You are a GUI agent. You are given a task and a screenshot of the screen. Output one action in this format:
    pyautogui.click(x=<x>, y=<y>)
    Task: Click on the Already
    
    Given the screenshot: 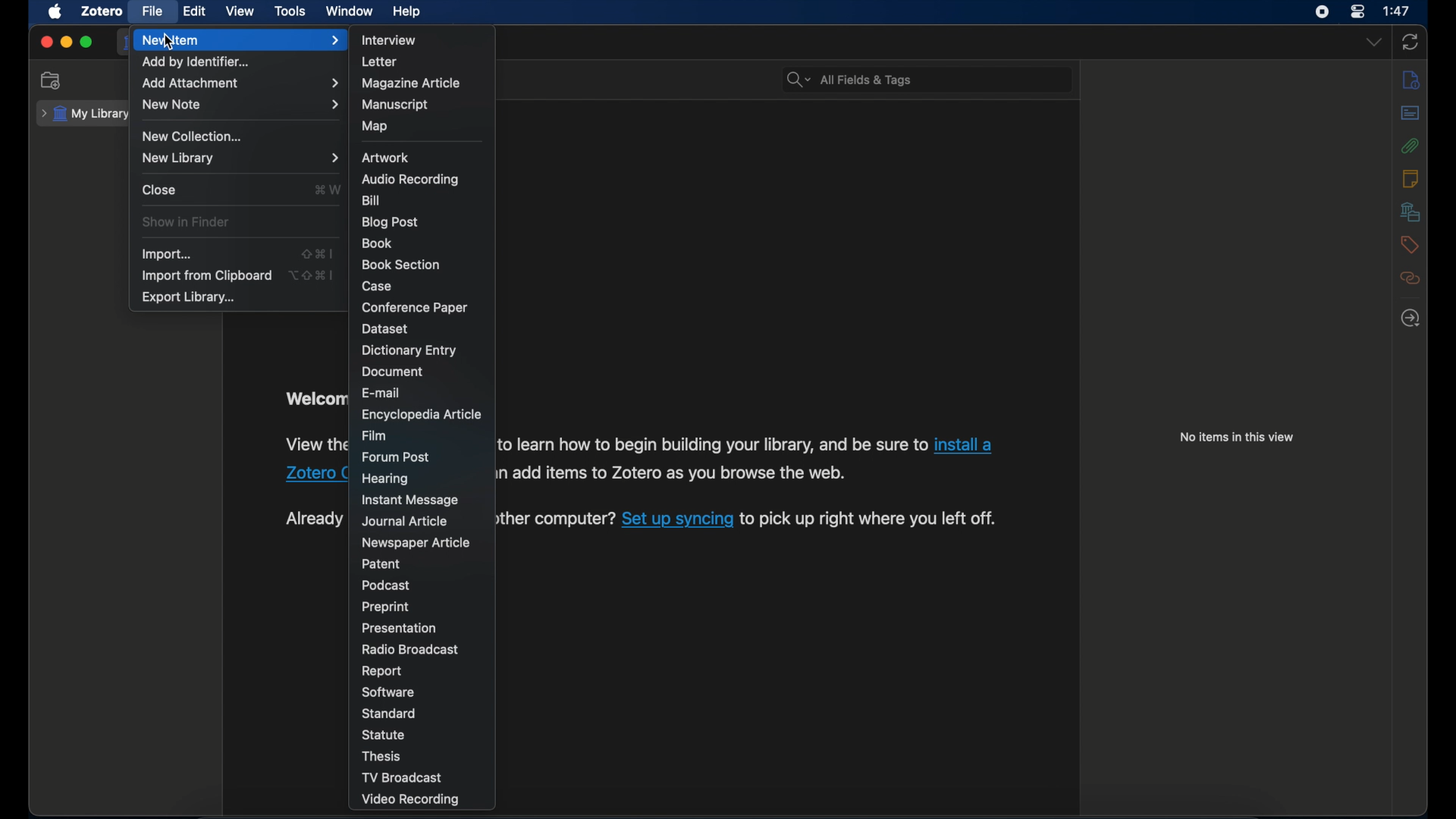 What is the action you would take?
    pyautogui.click(x=312, y=517)
    